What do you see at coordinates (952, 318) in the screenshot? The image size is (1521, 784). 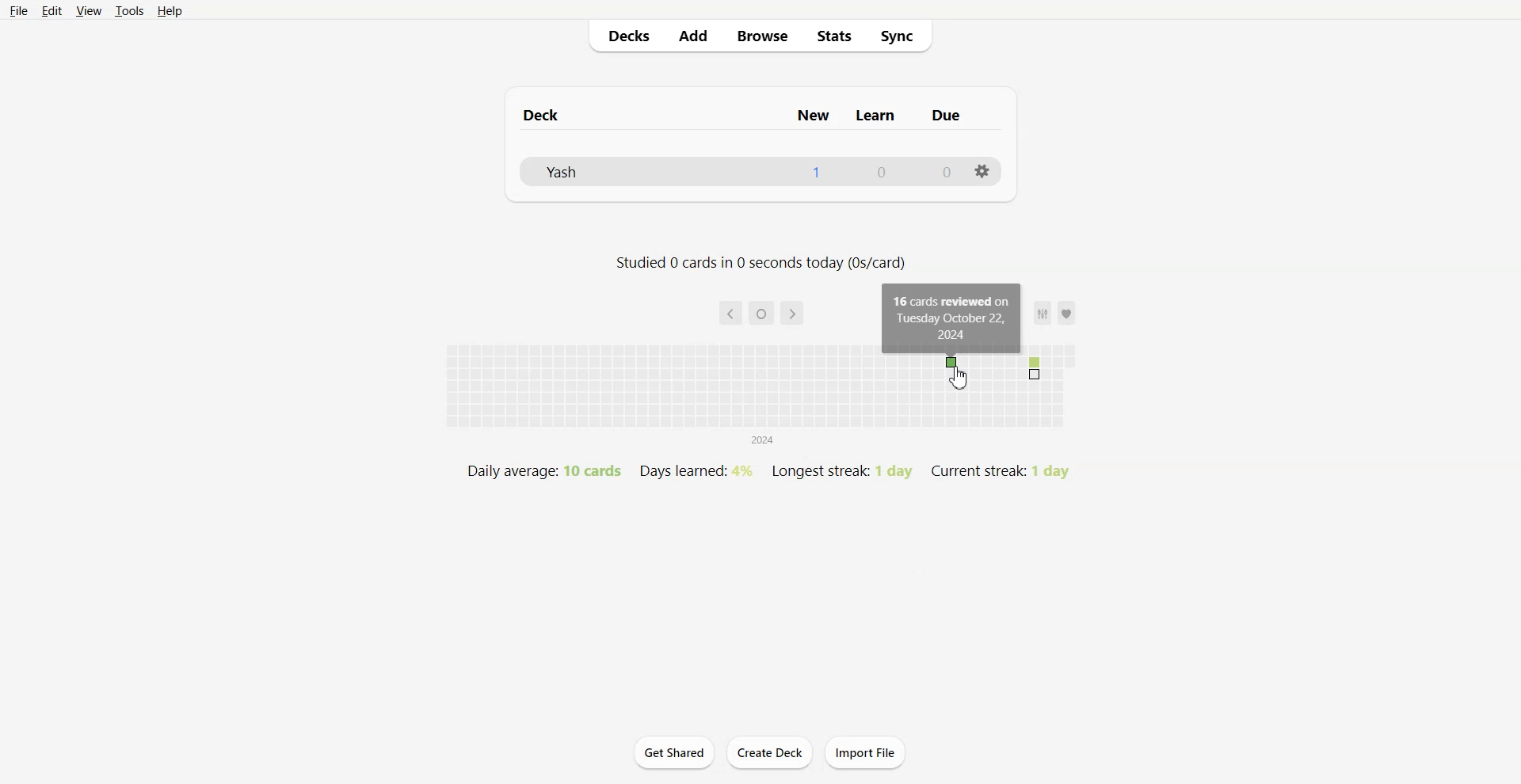 I see `16 cards reviewed on tuesday october 22, 2024` at bounding box center [952, 318].